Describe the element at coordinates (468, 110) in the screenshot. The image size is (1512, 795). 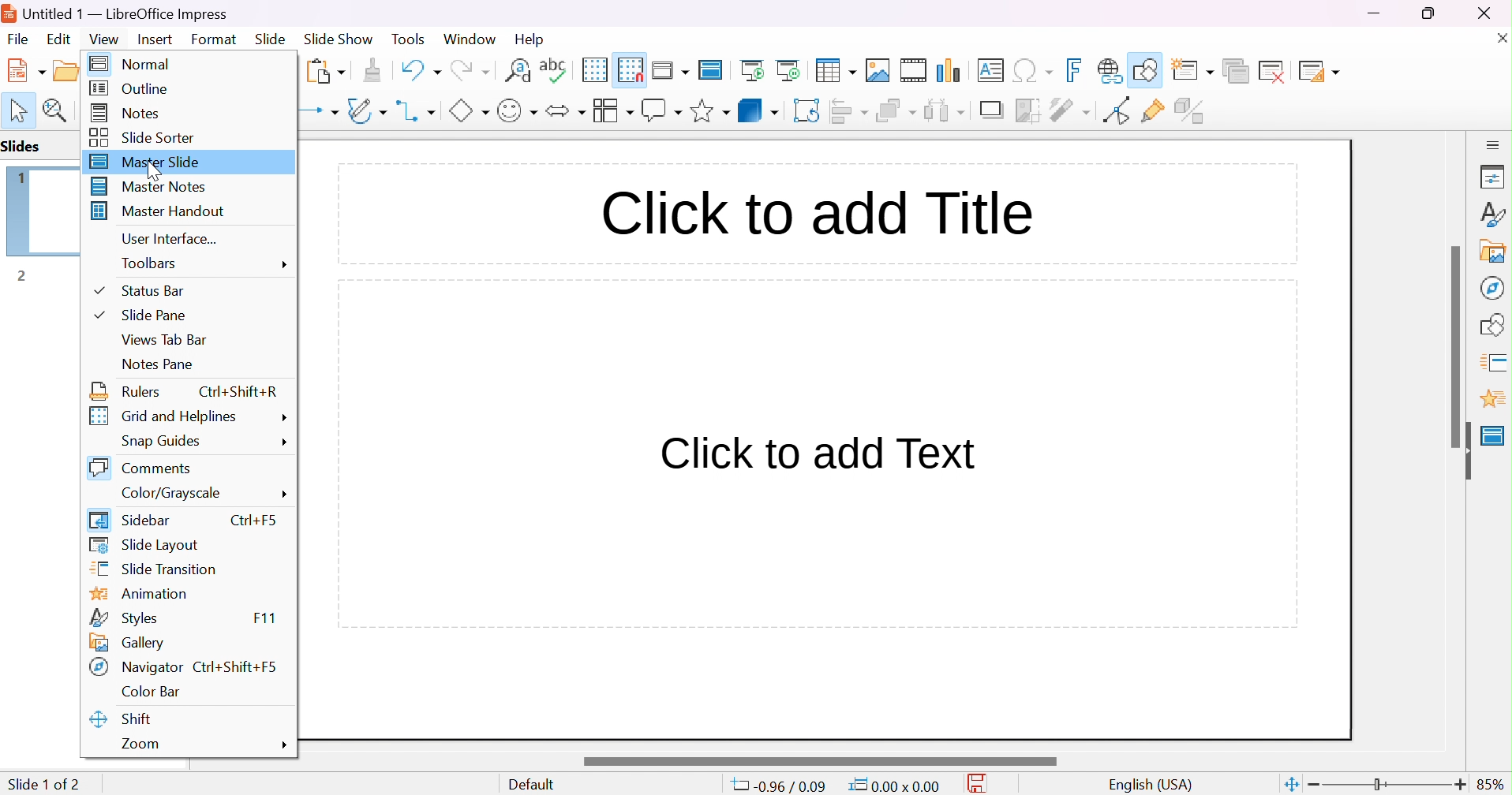
I see `basic shapes` at that location.